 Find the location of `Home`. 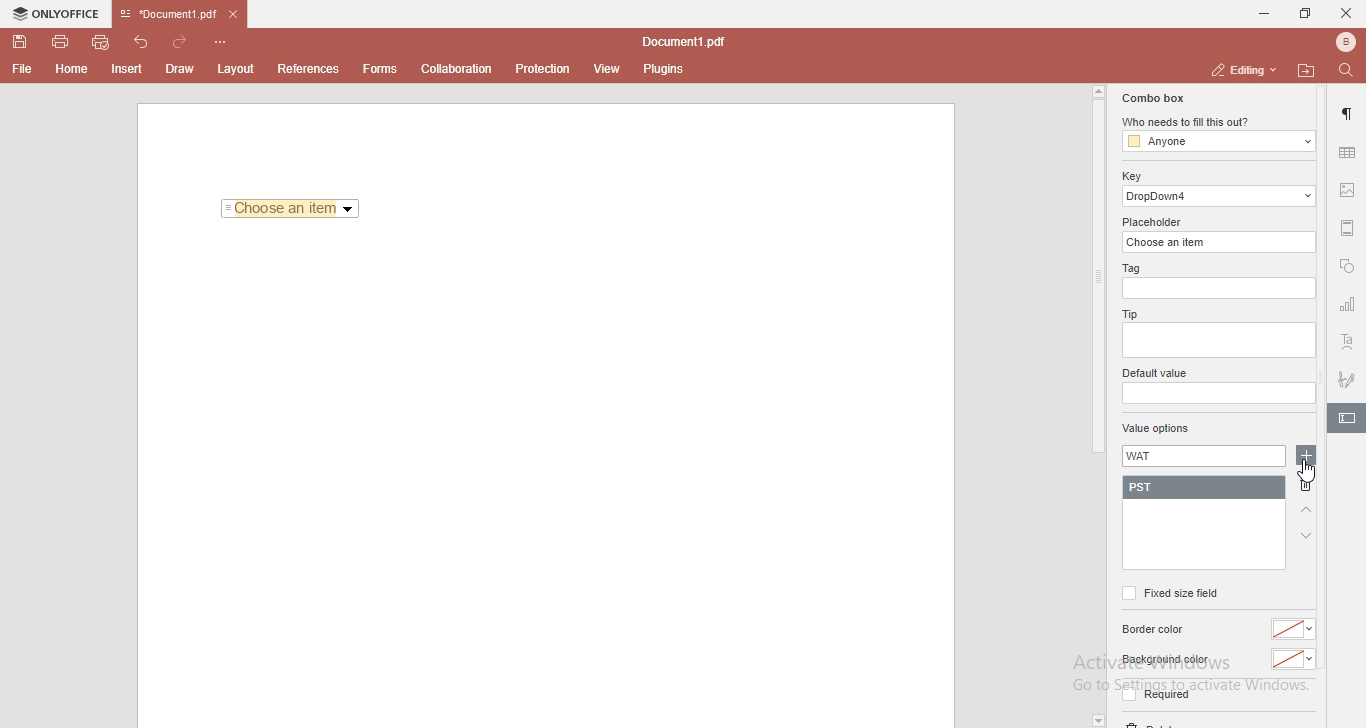

Home is located at coordinates (73, 72).